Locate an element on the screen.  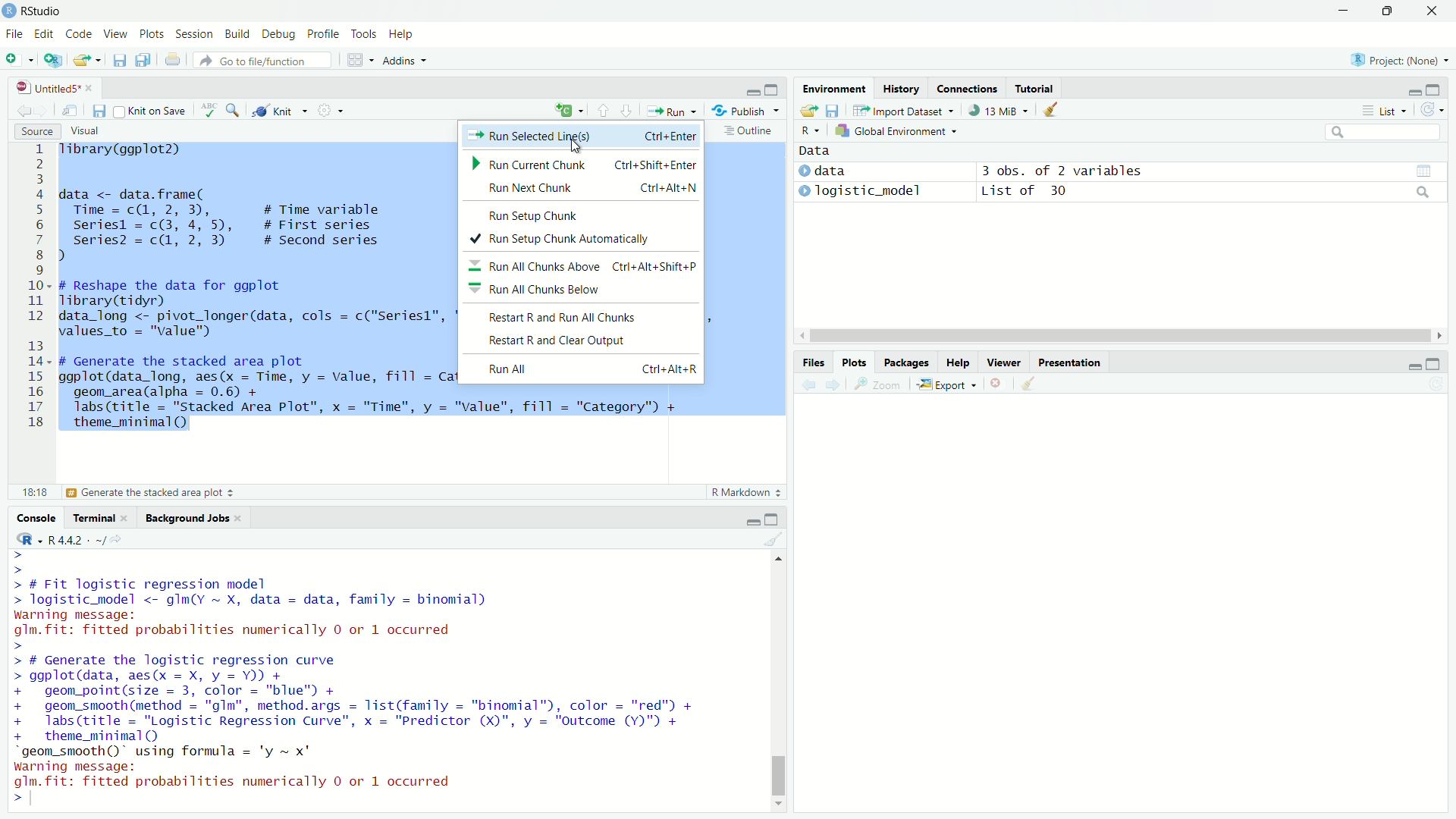
Run  is located at coordinates (673, 108).